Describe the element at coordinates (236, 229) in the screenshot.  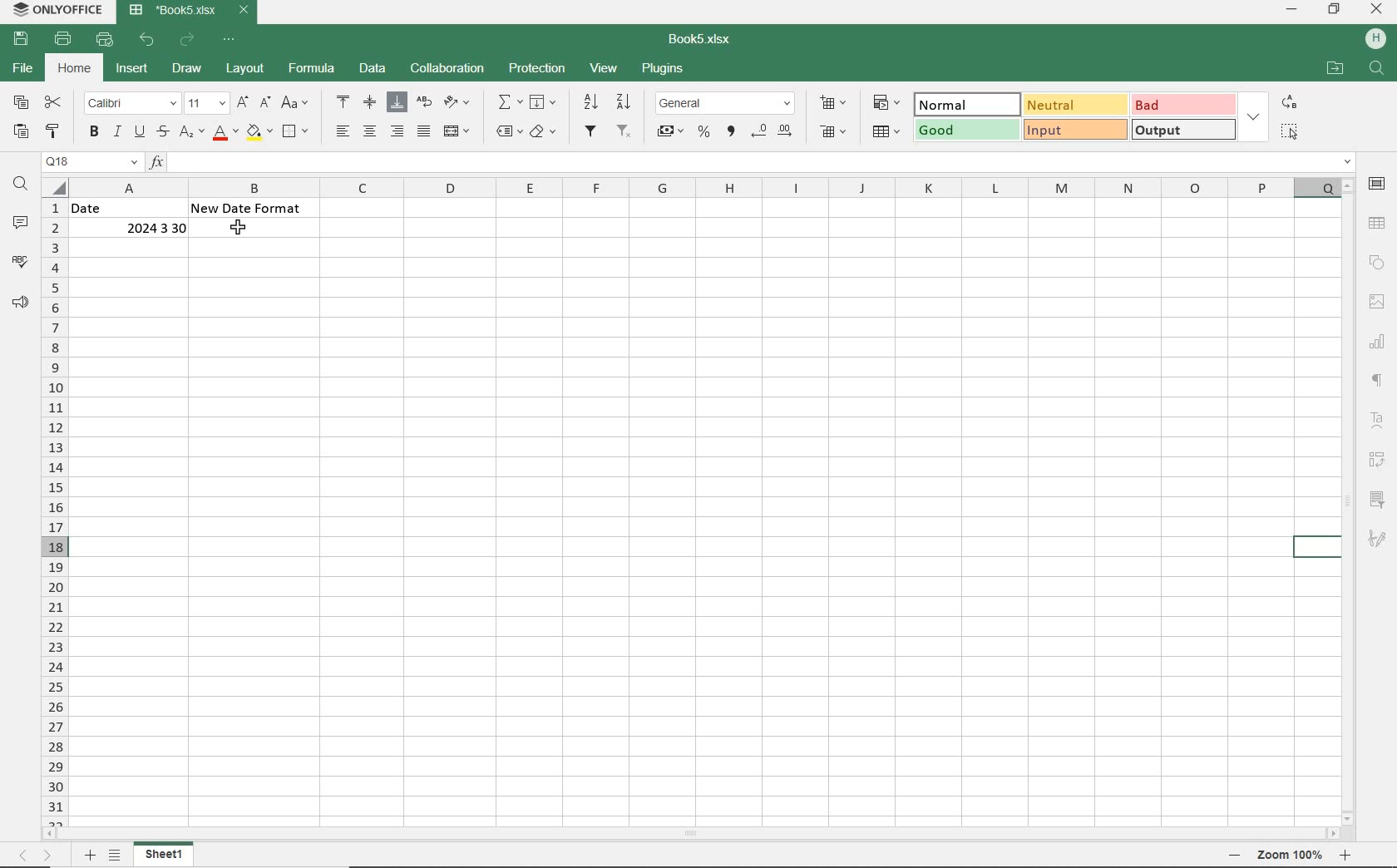
I see `cursor` at that location.